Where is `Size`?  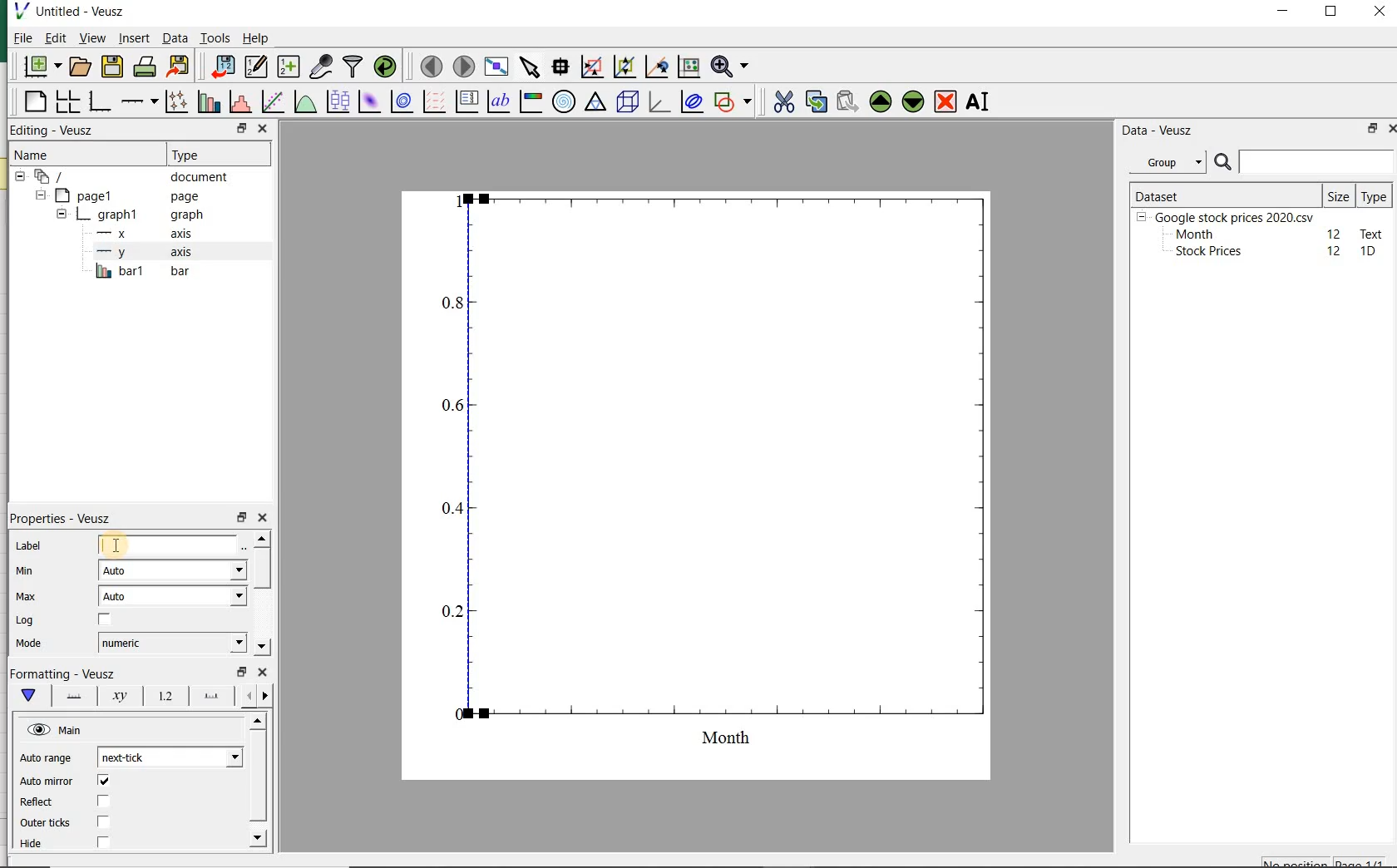
Size is located at coordinates (1339, 195).